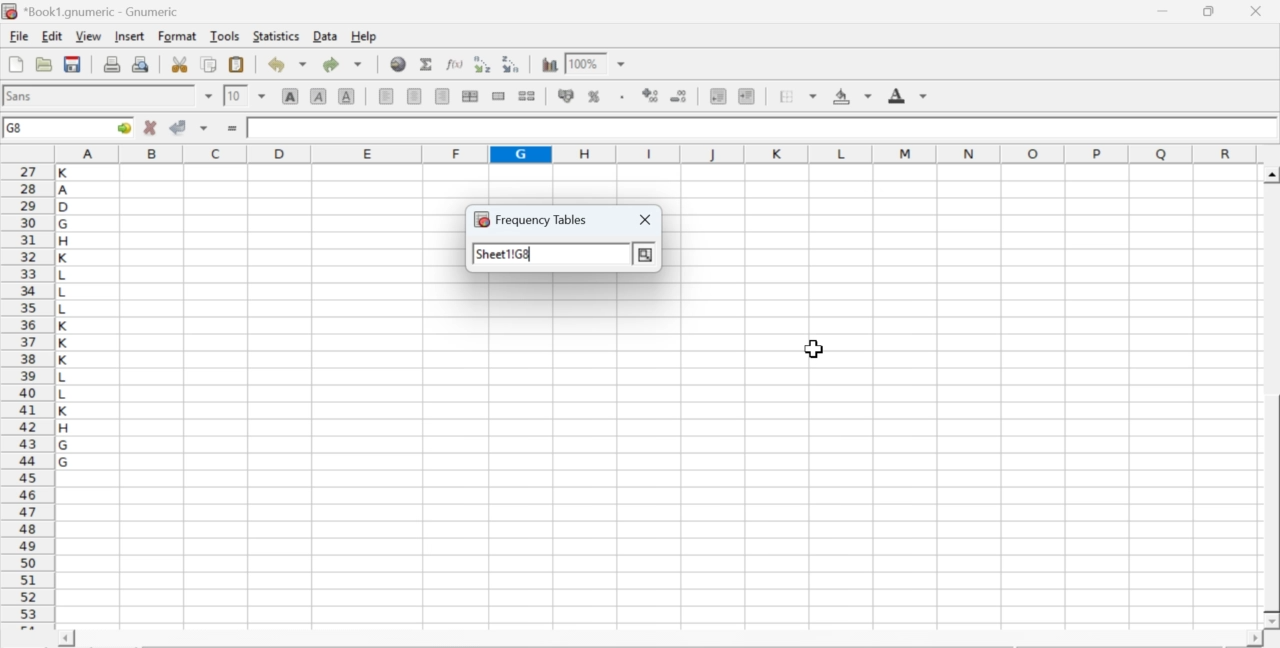 Image resolution: width=1280 pixels, height=648 pixels. I want to click on scroll bar, so click(1272, 398).